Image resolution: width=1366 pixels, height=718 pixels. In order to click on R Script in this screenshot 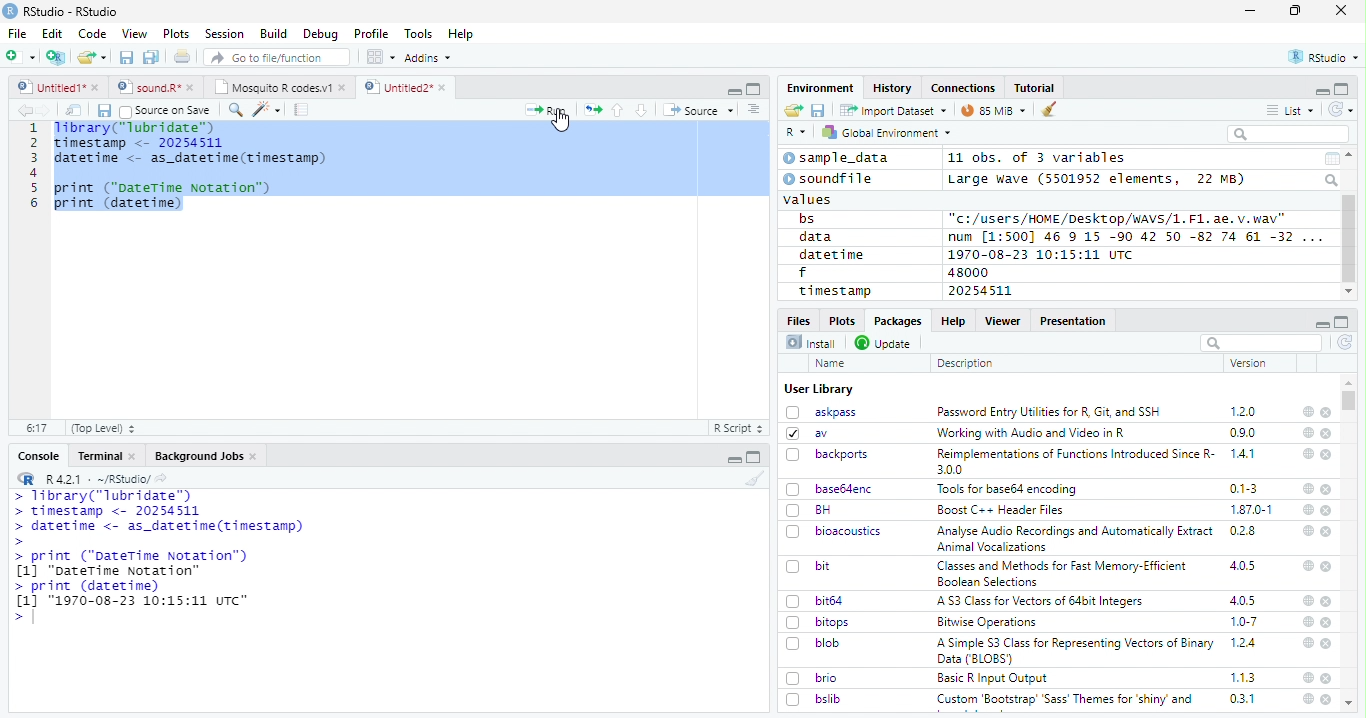, I will do `click(737, 429)`.